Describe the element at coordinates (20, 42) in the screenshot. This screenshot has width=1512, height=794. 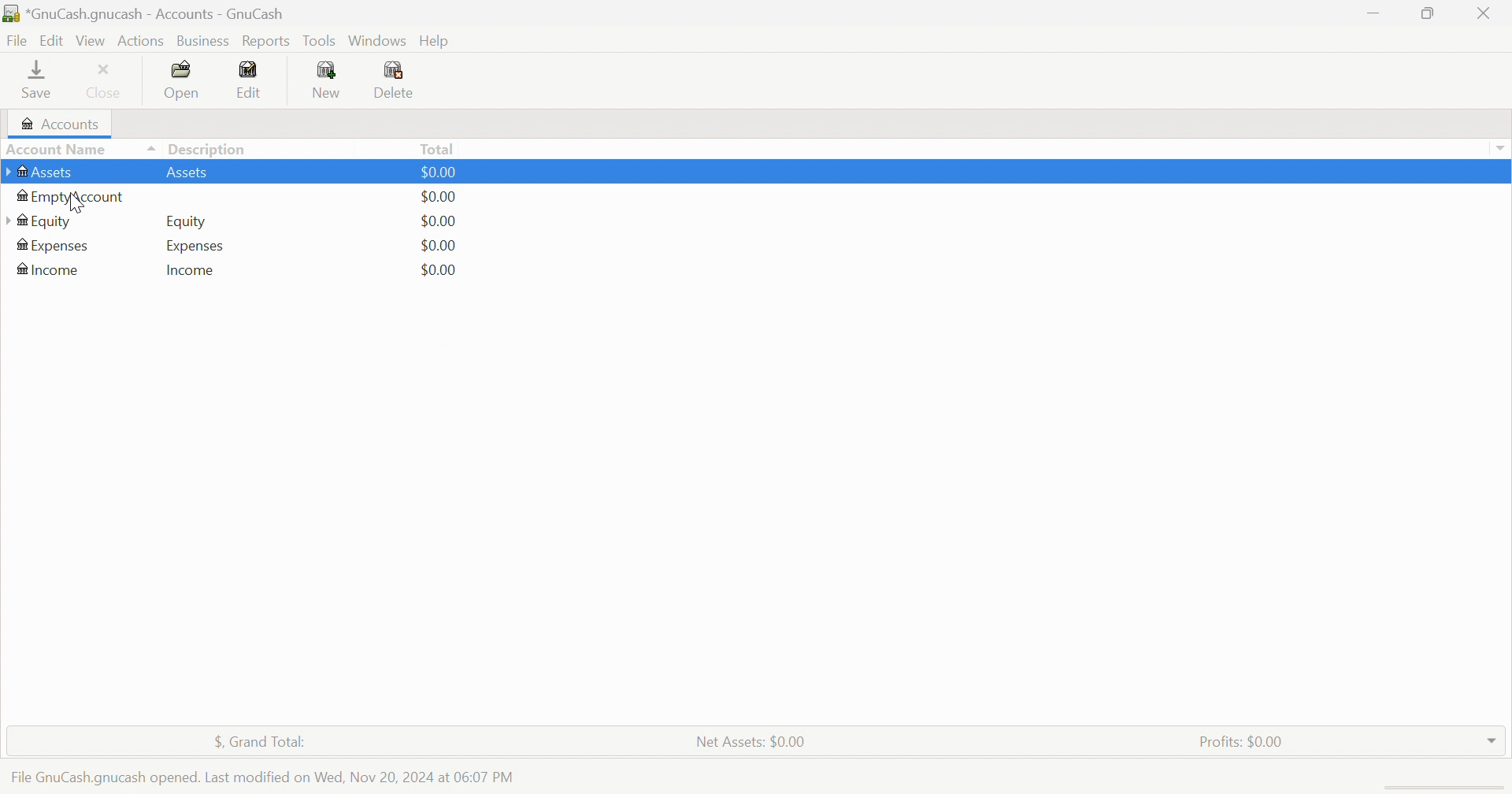
I see `File` at that location.